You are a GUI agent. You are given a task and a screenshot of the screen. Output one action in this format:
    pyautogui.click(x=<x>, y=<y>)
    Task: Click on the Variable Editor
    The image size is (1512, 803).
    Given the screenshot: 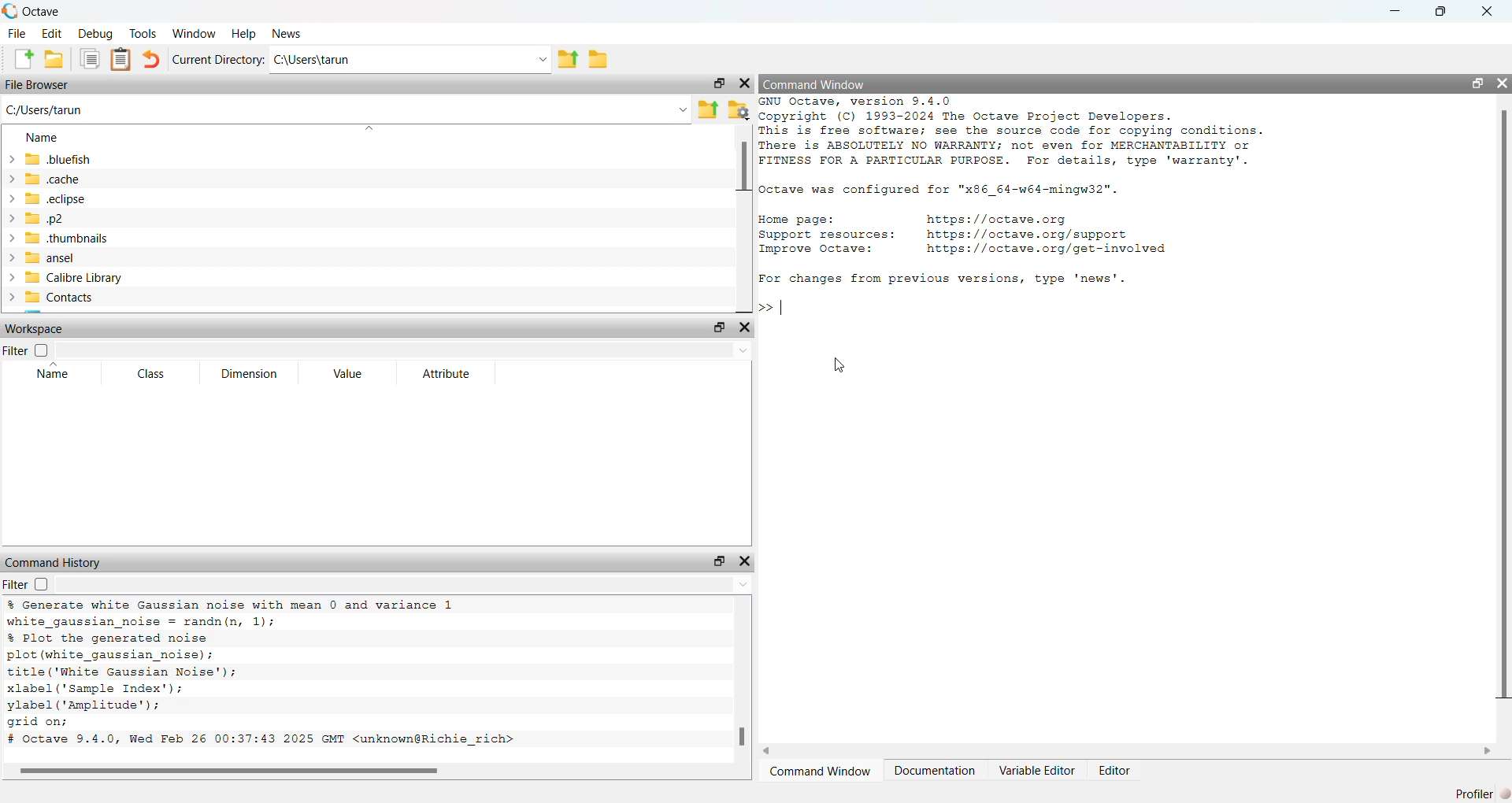 What is the action you would take?
    pyautogui.click(x=1038, y=775)
    